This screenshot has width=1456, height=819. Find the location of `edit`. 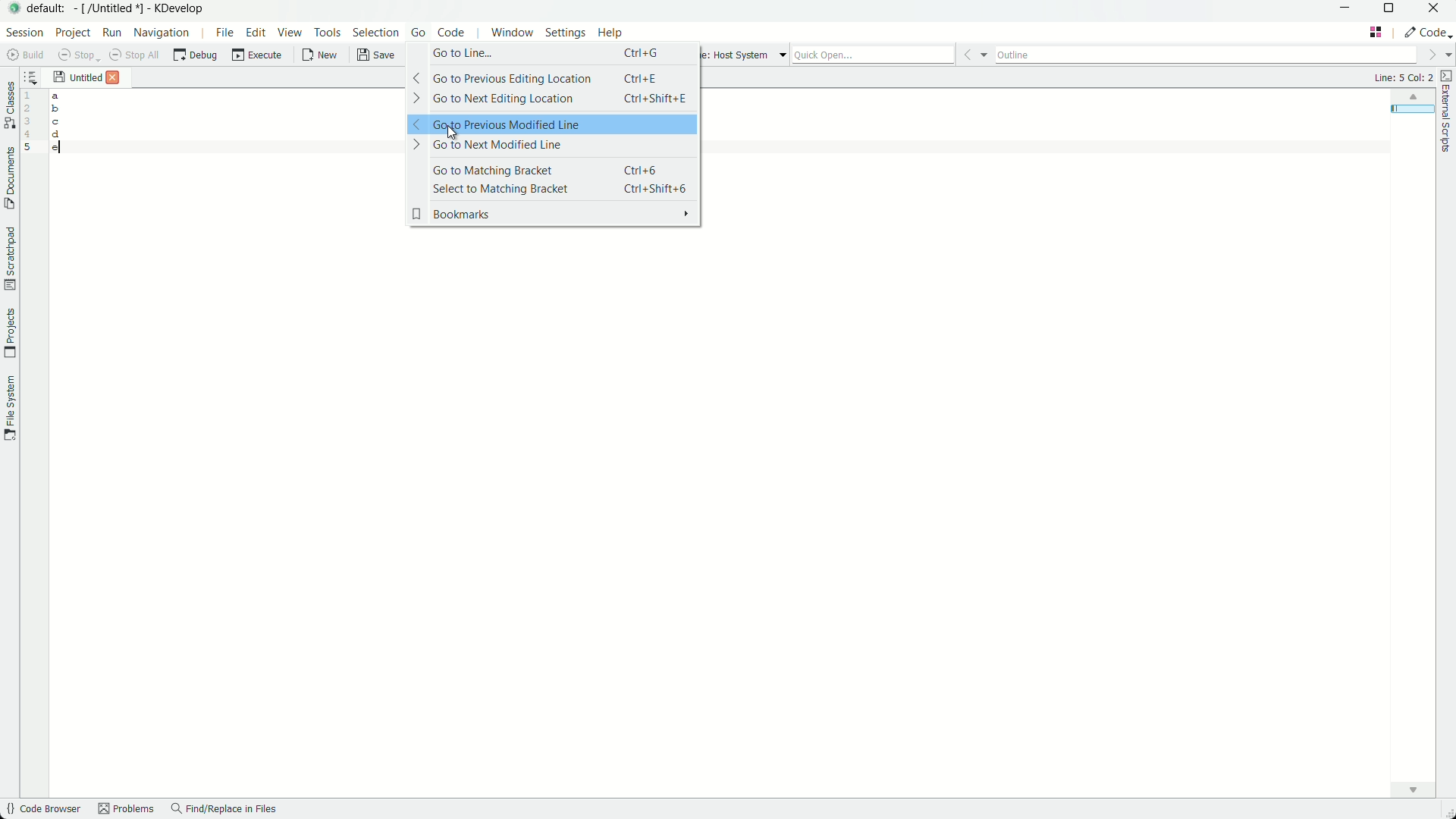

edit is located at coordinates (256, 33).